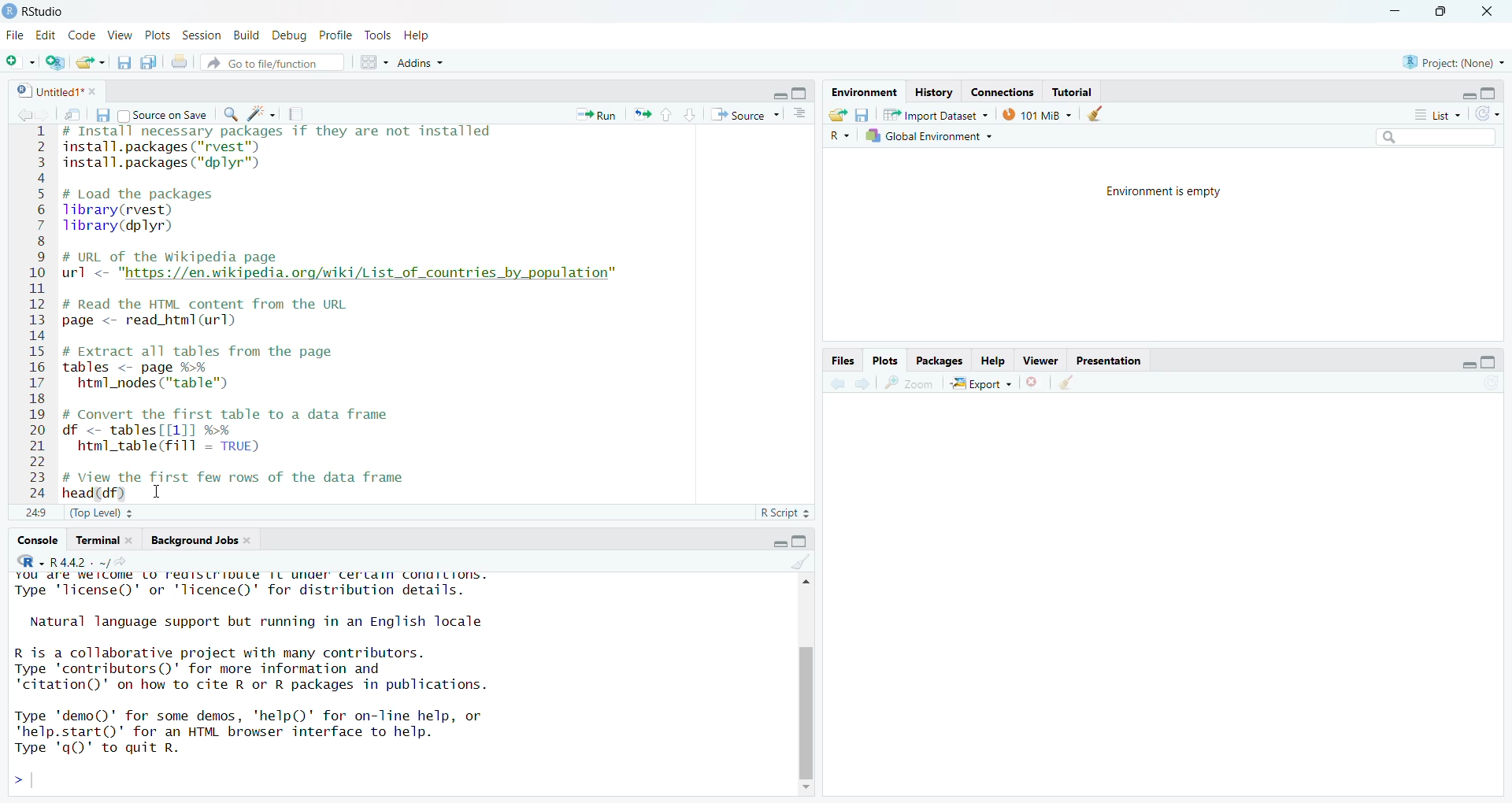 Image resolution: width=1512 pixels, height=803 pixels. I want to click on scroll up, so click(804, 581).